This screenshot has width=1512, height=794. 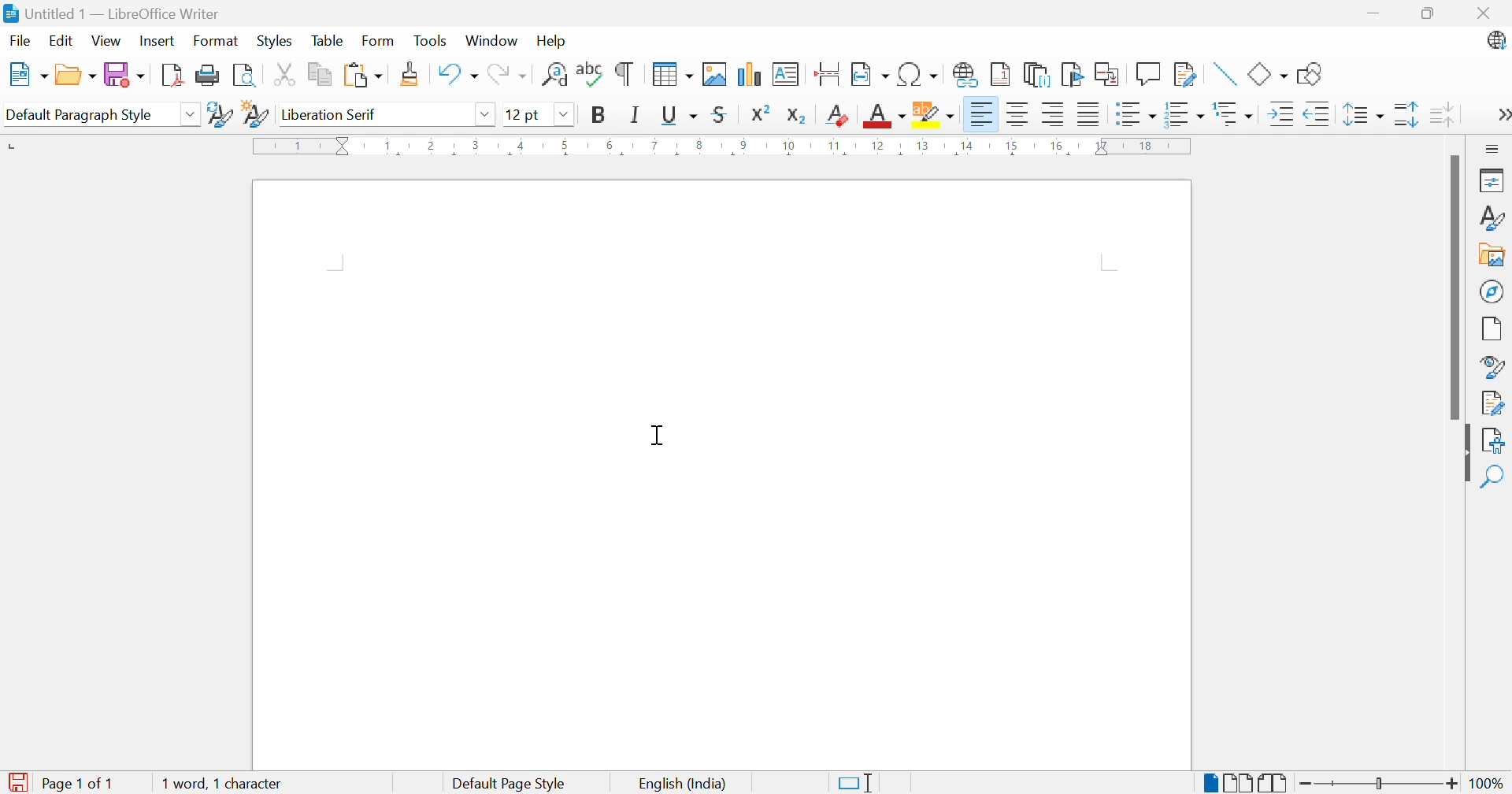 I want to click on Multiple-page view, so click(x=1240, y=783).